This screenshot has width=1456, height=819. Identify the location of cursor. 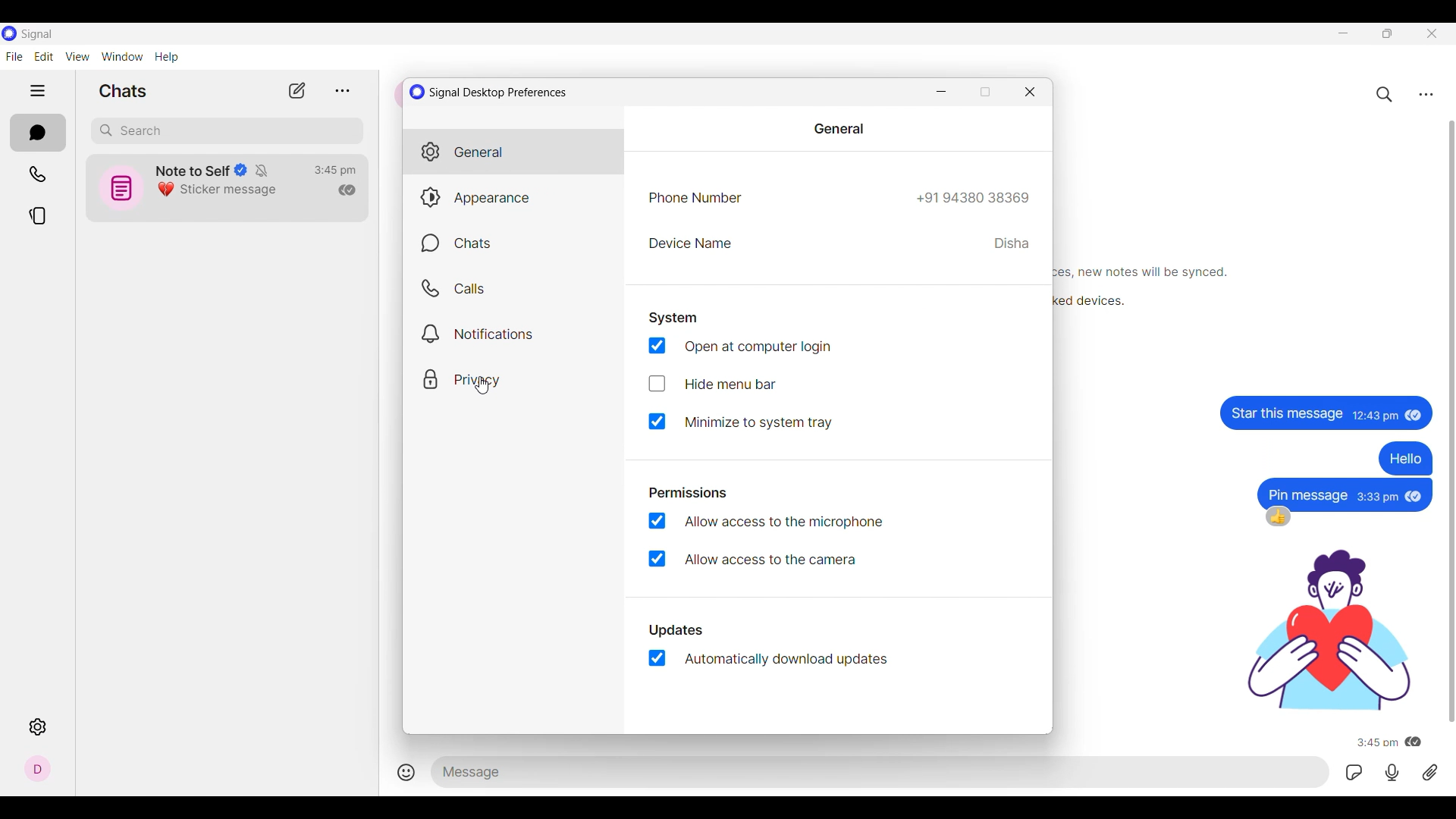
(485, 389).